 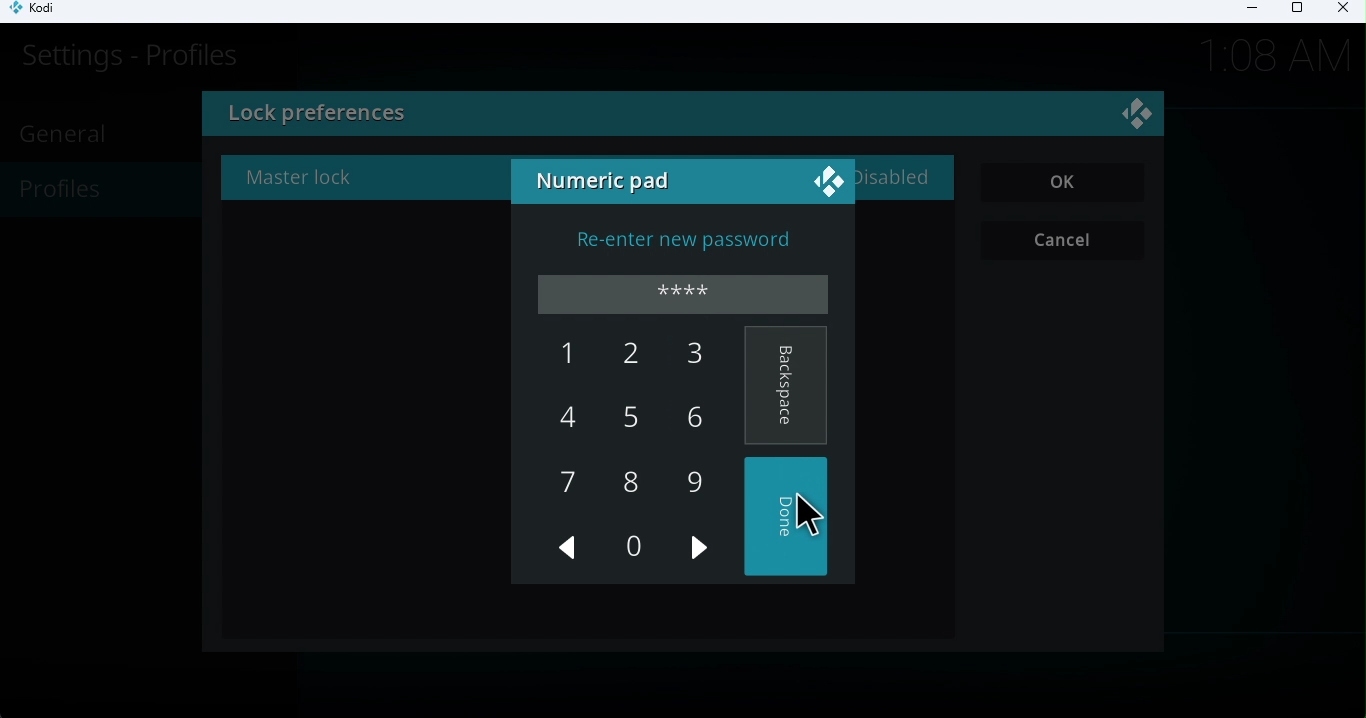 I want to click on Close, so click(x=1140, y=117).